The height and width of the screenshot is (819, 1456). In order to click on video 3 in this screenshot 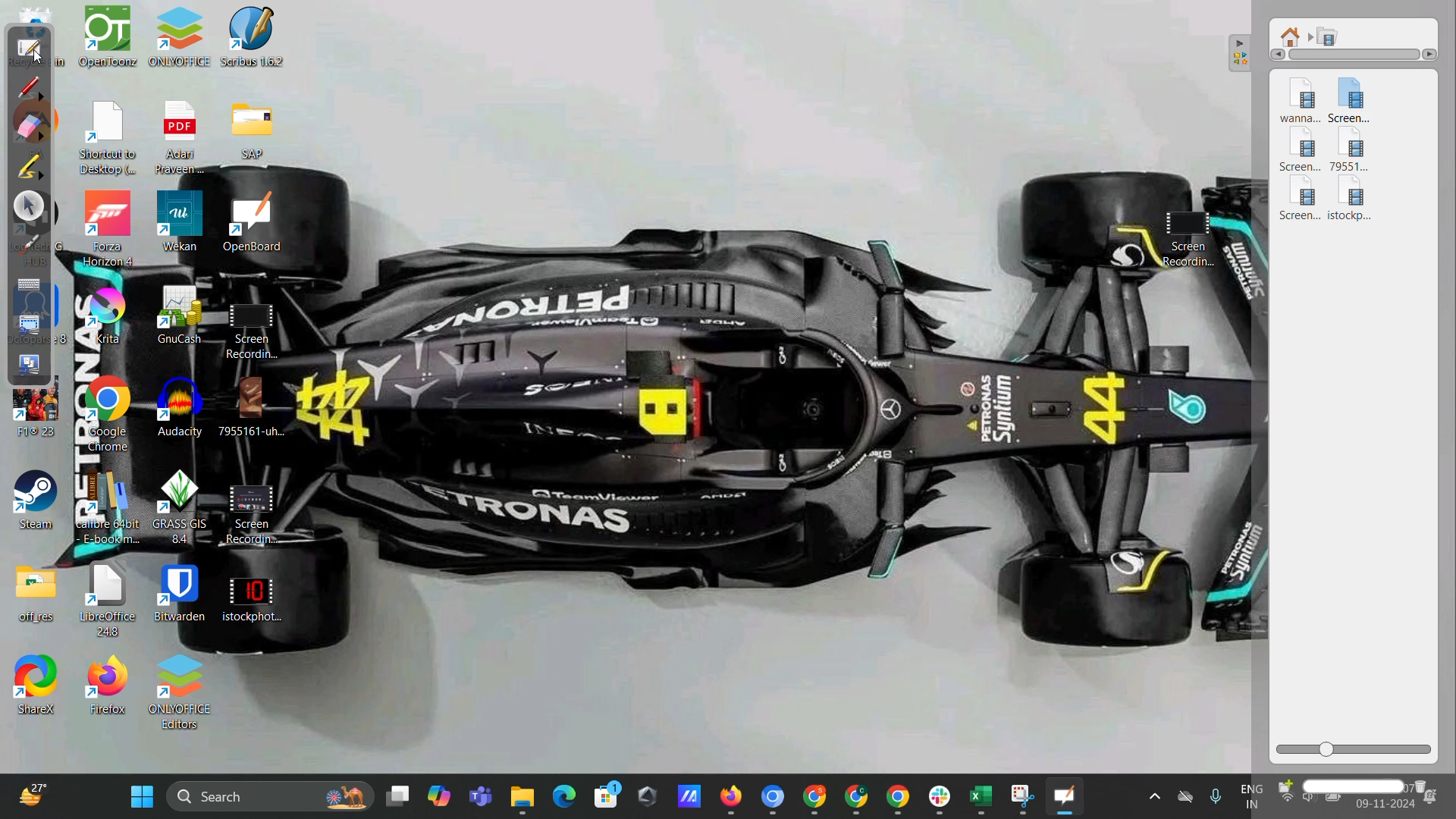, I will do `click(1299, 152)`.